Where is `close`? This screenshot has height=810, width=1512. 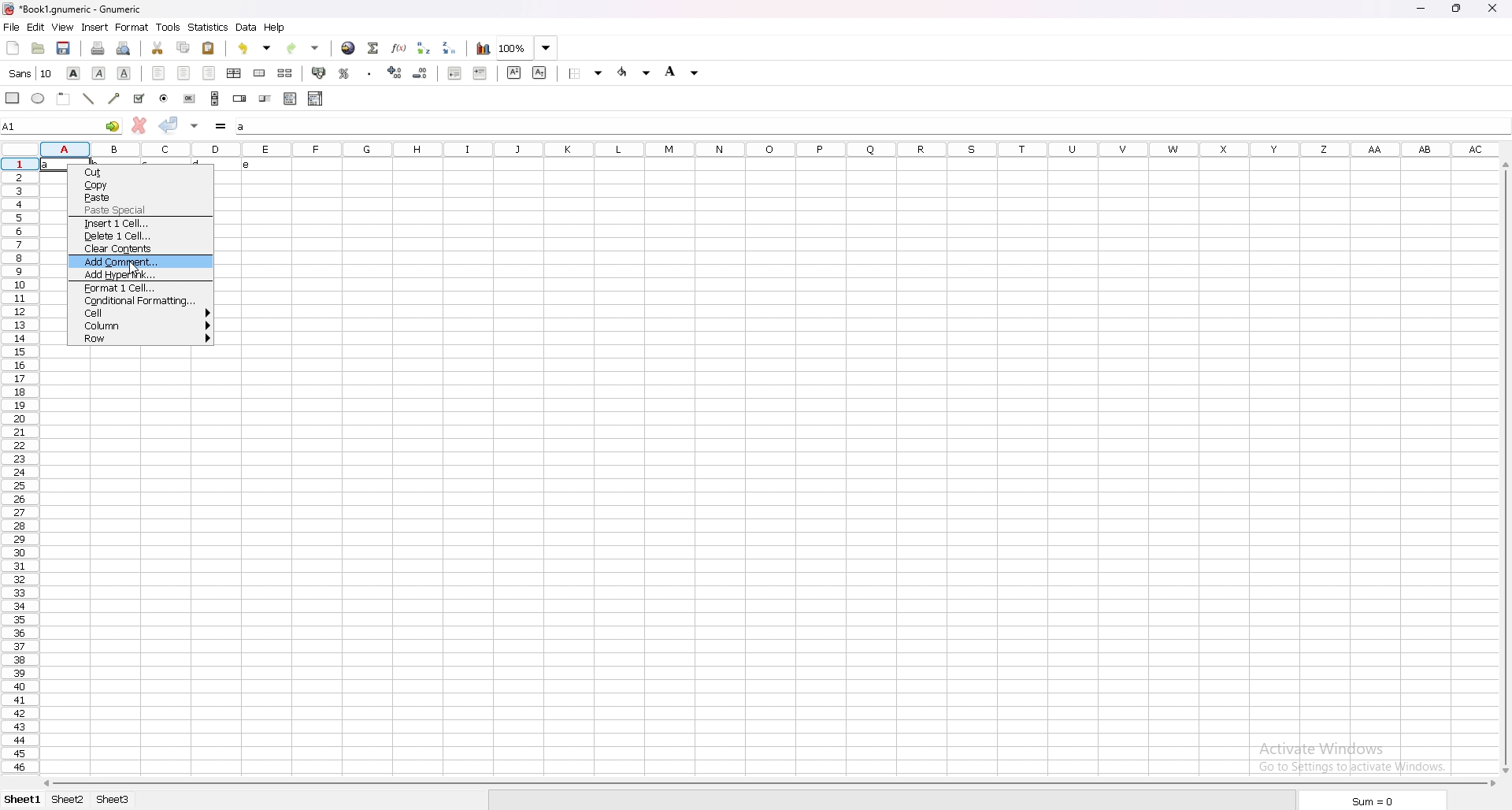
close is located at coordinates (1497, 8).